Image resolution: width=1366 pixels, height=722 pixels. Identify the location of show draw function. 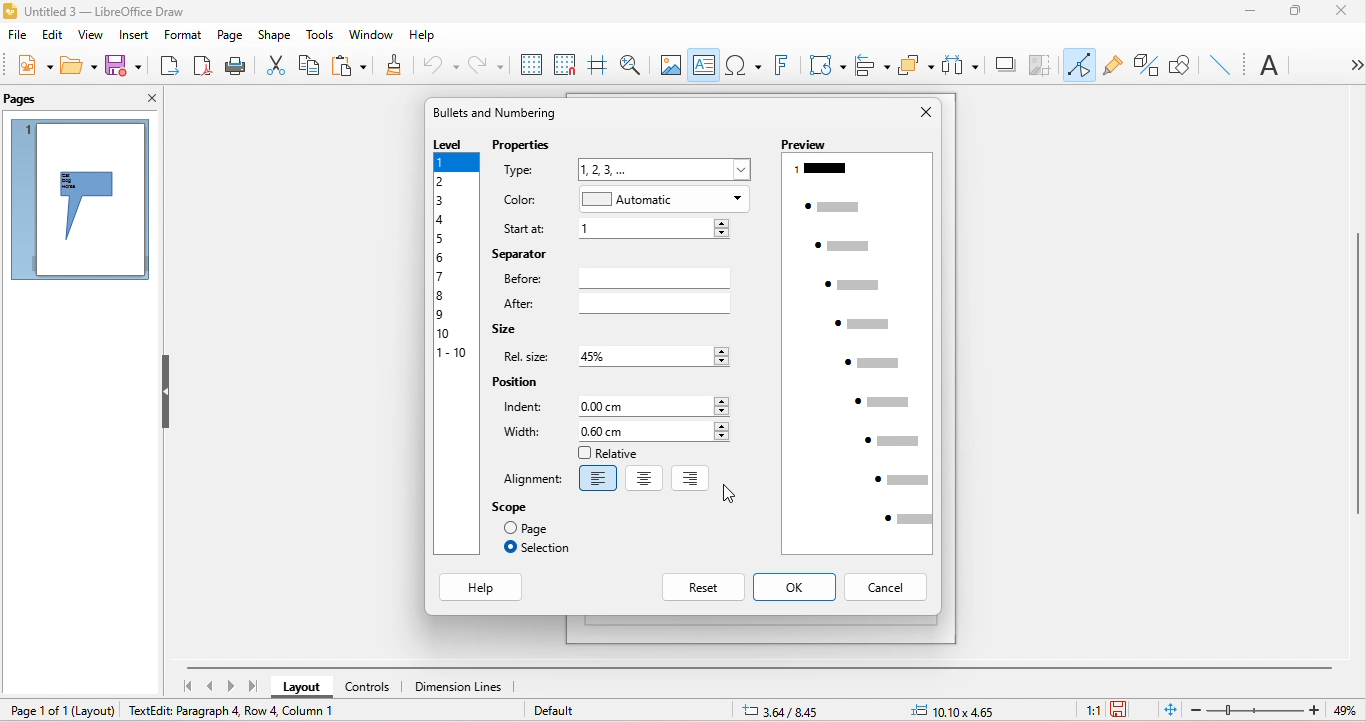
(1180, 63).